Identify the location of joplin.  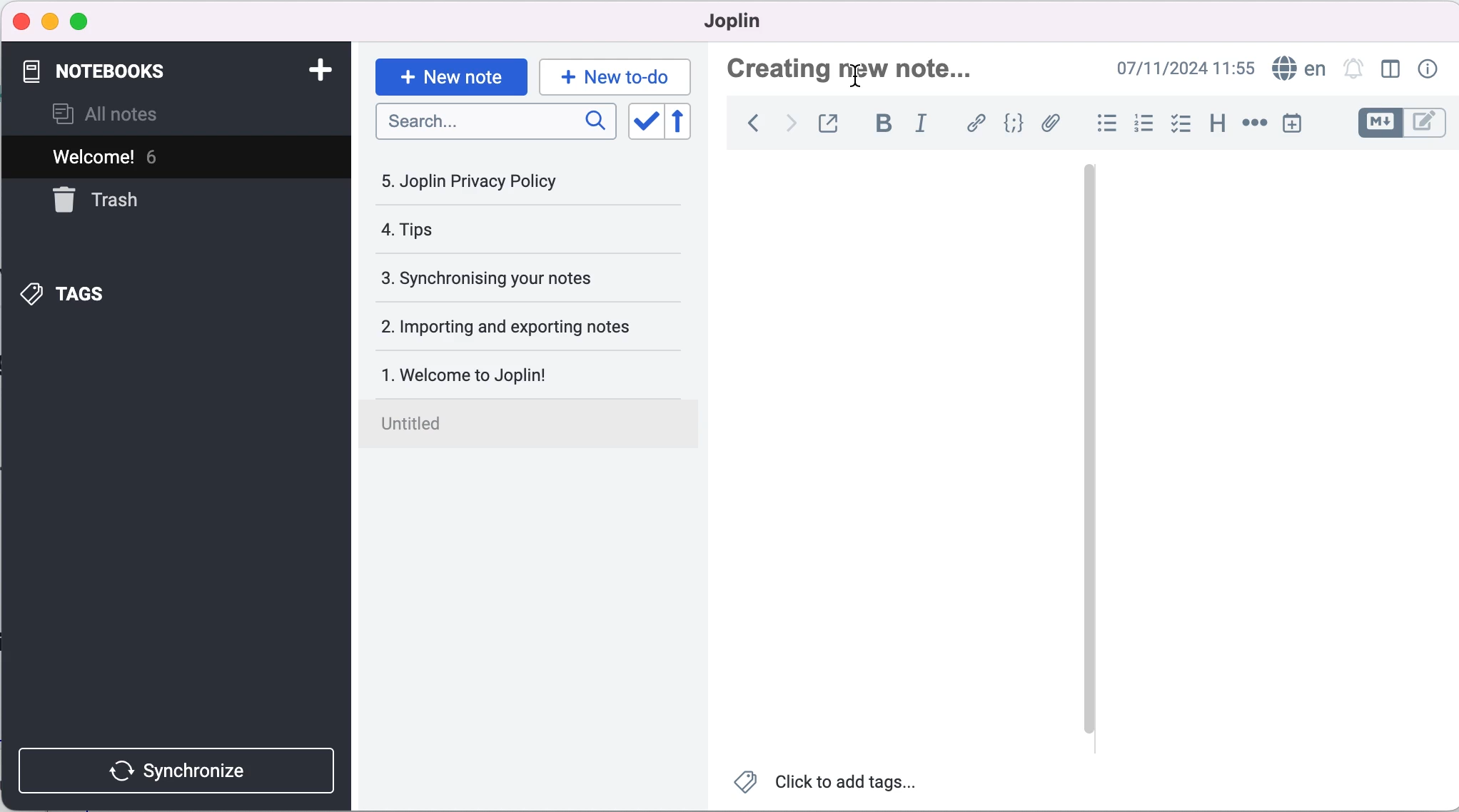
(739, 25).